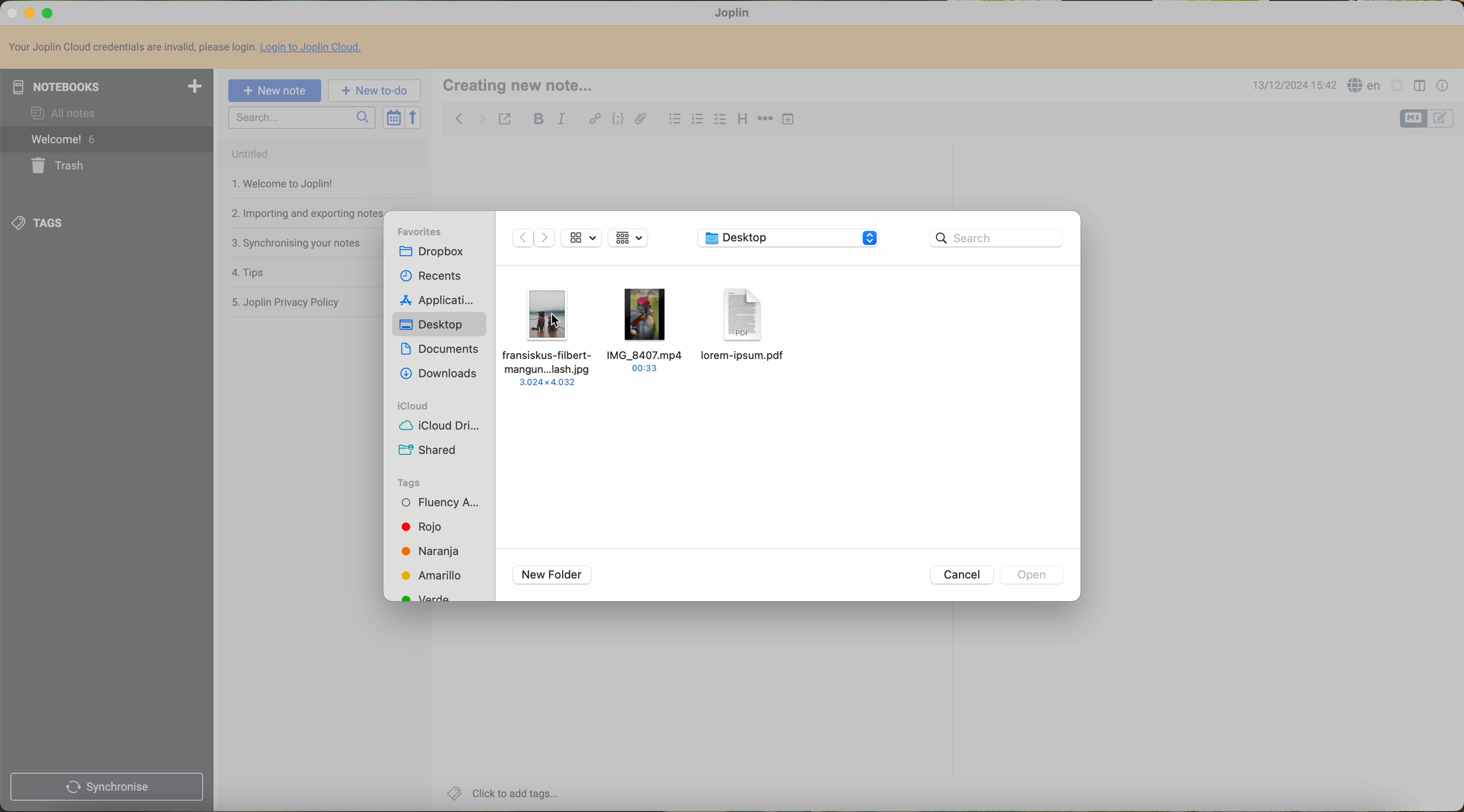 This screenshot has height=812, width=1464. What do you see at coordinates (375, 91) in the screenshot?
I see `new to-do` at bounding box center [375, 91].